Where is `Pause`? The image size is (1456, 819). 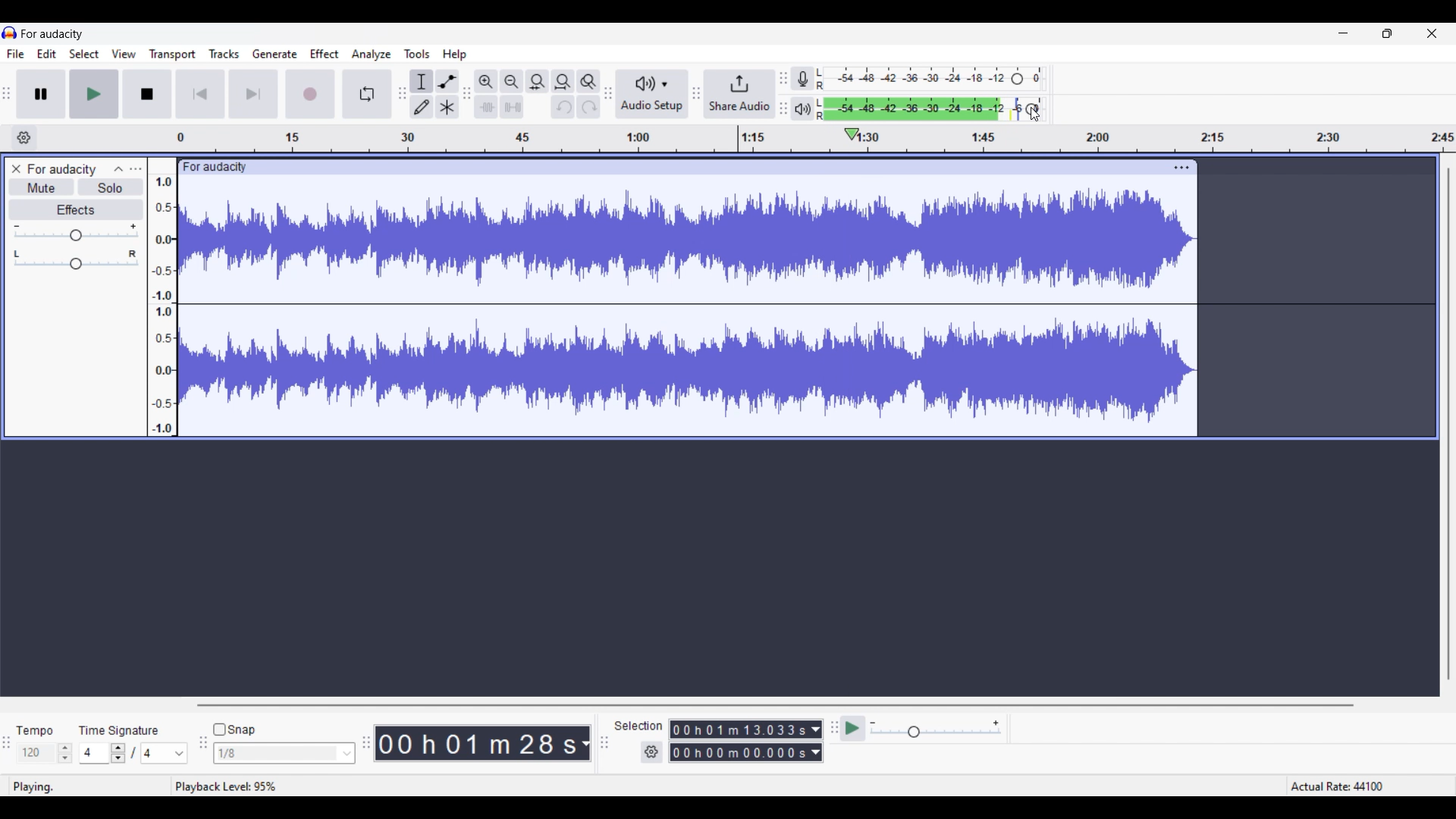
Pause is located at coordinates (40, 93).